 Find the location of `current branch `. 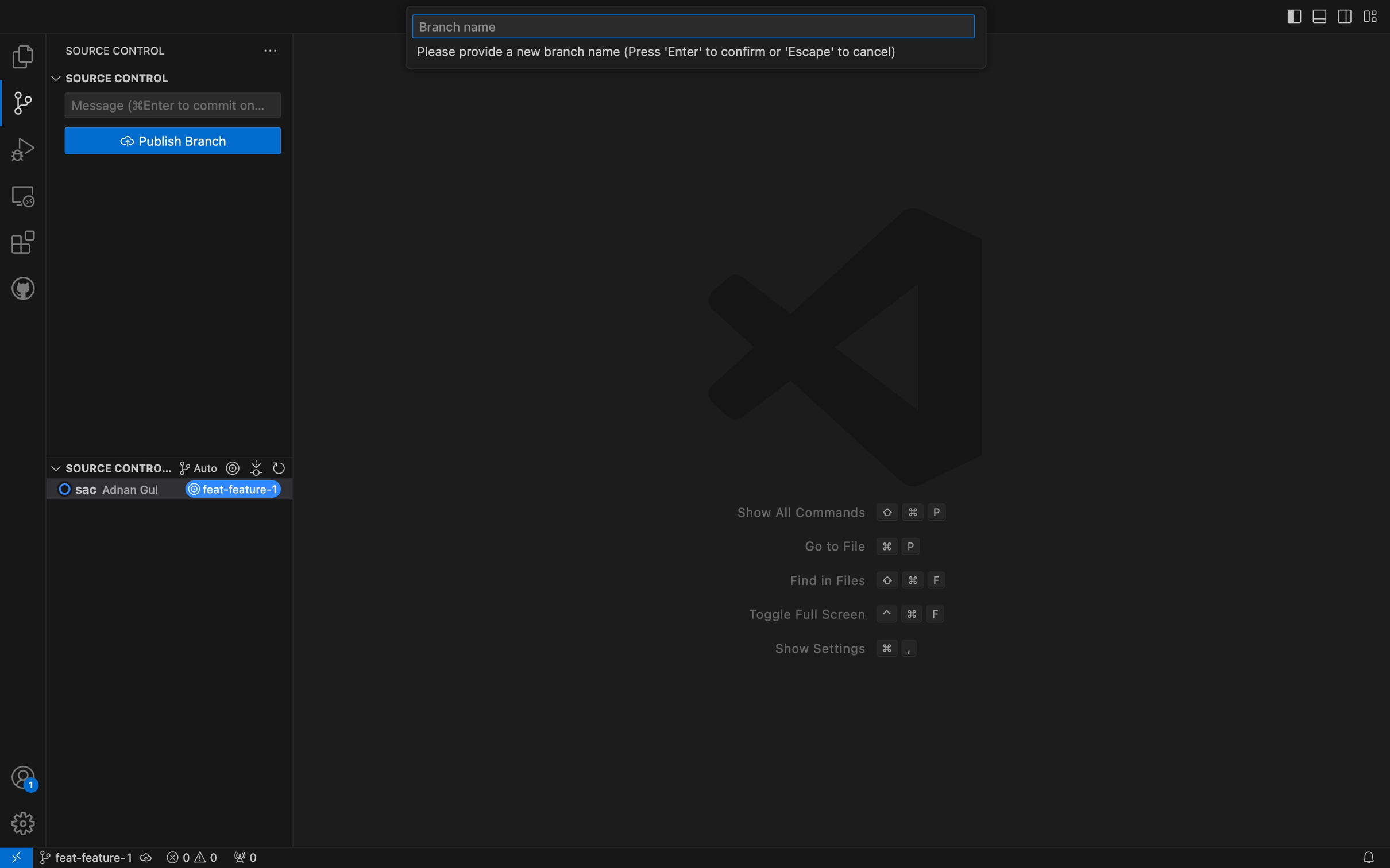

current branch  is located at coordinates (171, 490).